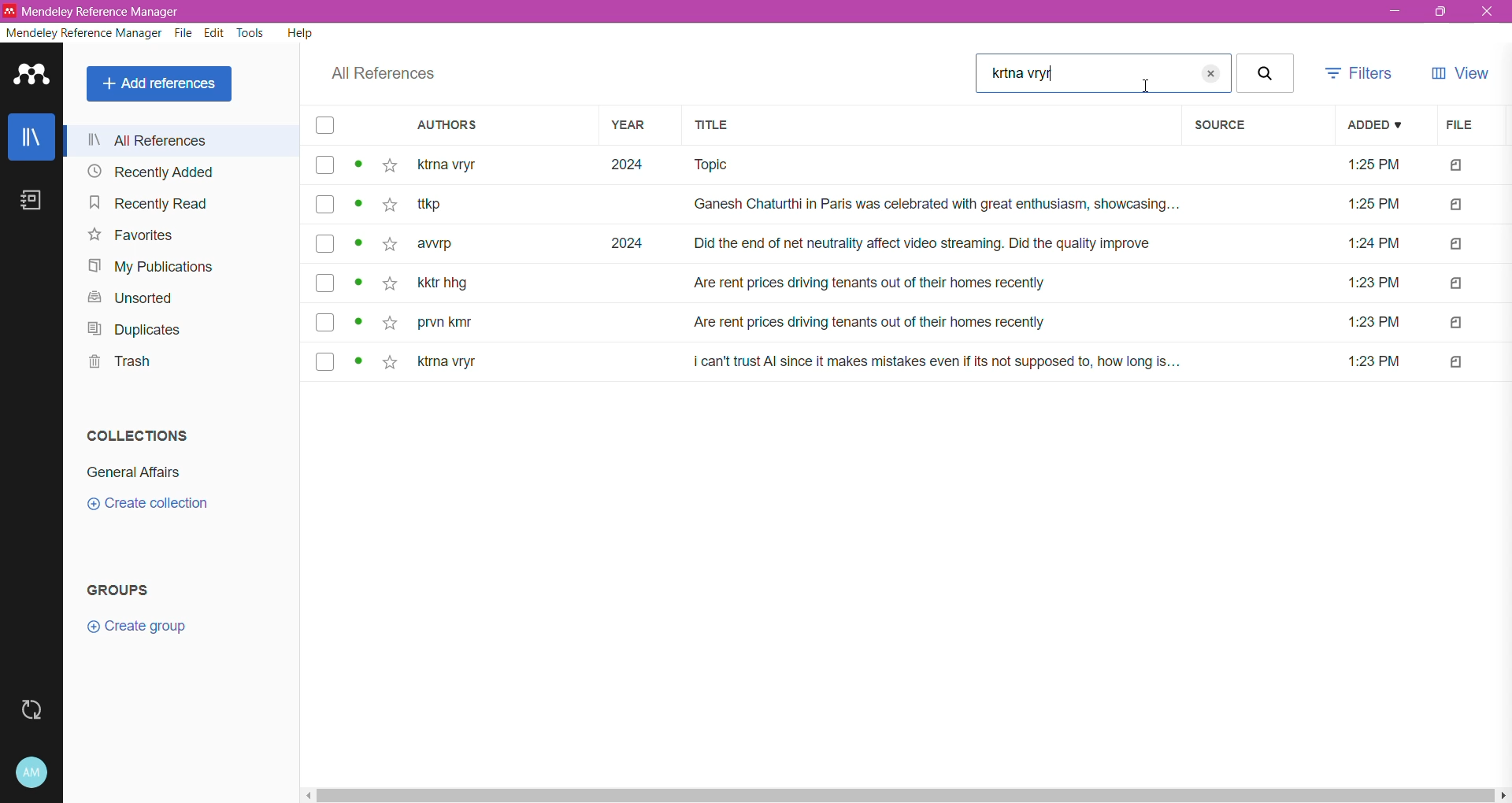 The width and height of the screenshot is (1512, 803). What do you see at coordinates (1503, 796) in the screenshot?
I see `move right` at bounding box center [1503, 796].